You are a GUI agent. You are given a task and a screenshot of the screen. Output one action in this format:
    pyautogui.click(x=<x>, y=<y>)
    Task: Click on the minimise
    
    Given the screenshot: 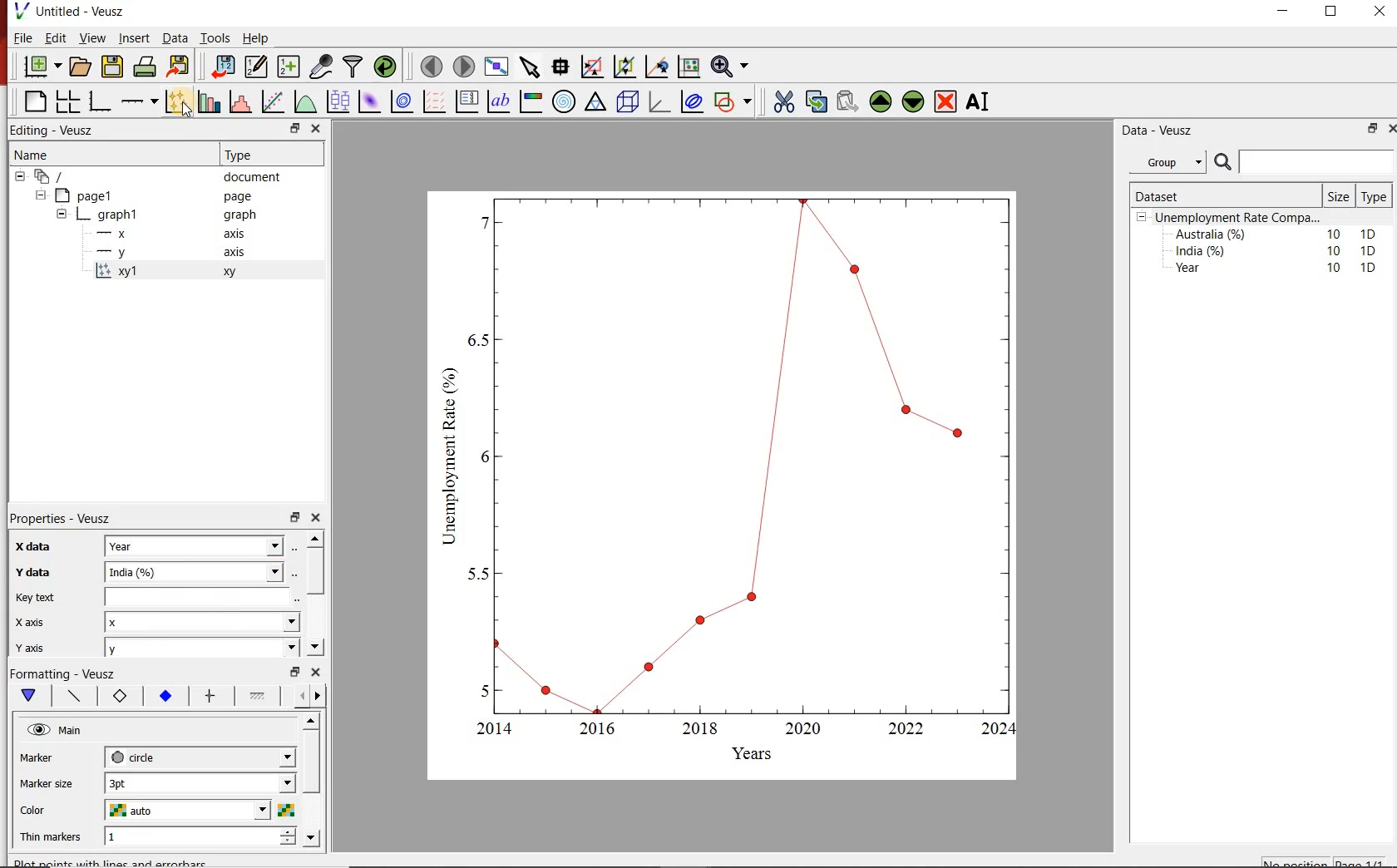 What is the action you would take?
    pyautogui.click(x=297, y=128)
    